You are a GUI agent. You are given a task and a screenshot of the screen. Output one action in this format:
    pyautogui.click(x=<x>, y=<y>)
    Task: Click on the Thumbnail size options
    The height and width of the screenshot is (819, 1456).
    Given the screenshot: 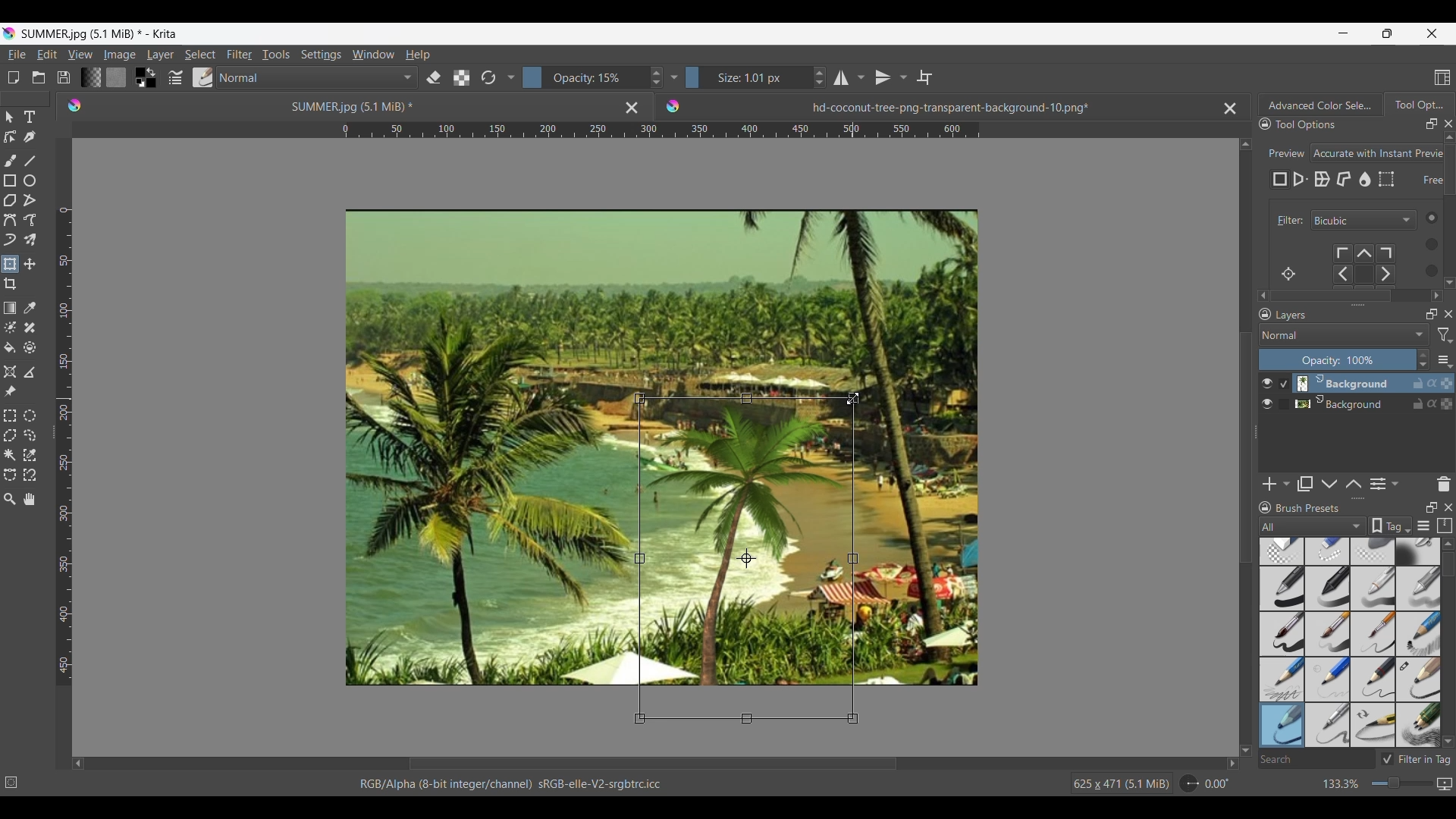 What is the action you would take?
    pyautogui.click(x=1445, y=359)
    